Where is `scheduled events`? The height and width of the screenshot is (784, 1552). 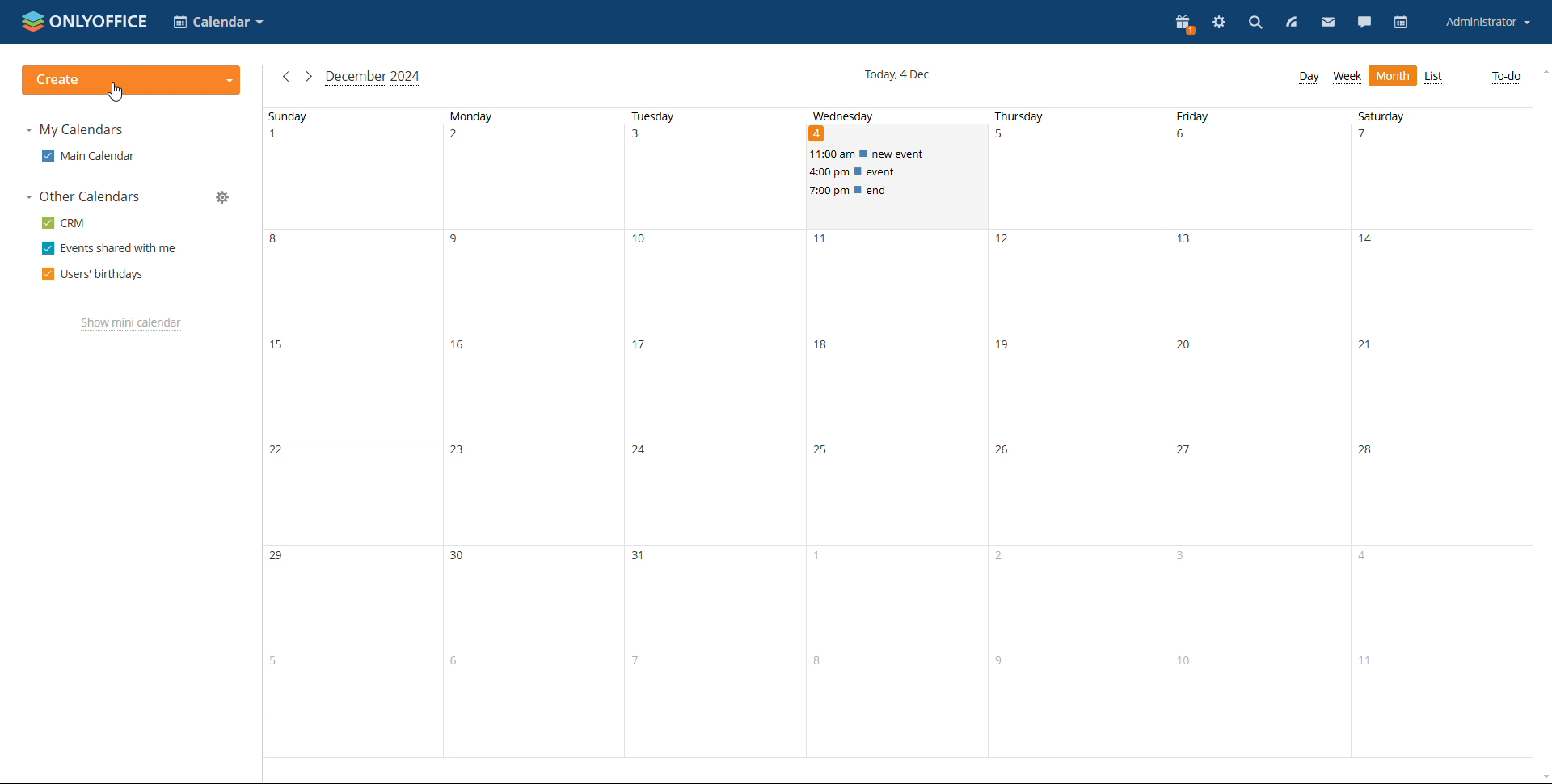
scheduled events is located at coordinates (897, 172).